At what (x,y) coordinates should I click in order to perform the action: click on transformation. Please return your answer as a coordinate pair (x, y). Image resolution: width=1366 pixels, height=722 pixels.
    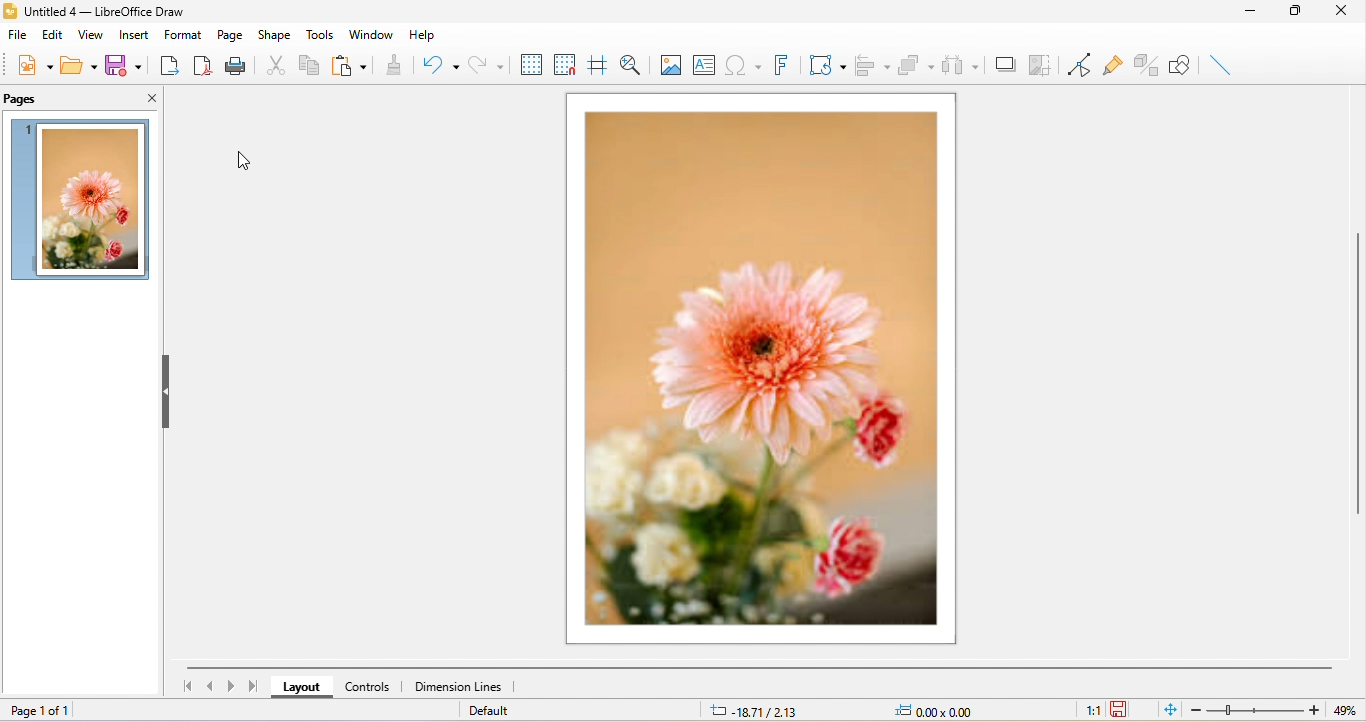
    Looking at the image, I should click on (827, 67).